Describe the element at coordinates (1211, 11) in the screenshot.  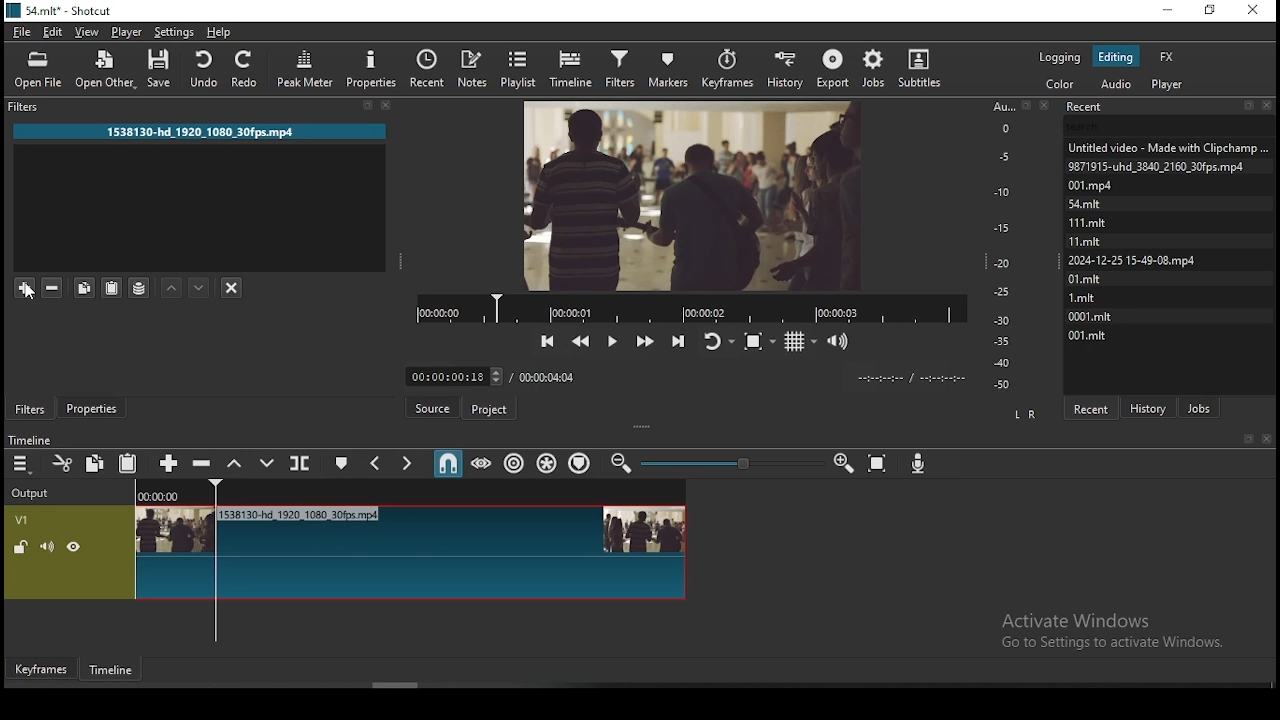
I see `restore` at that location.